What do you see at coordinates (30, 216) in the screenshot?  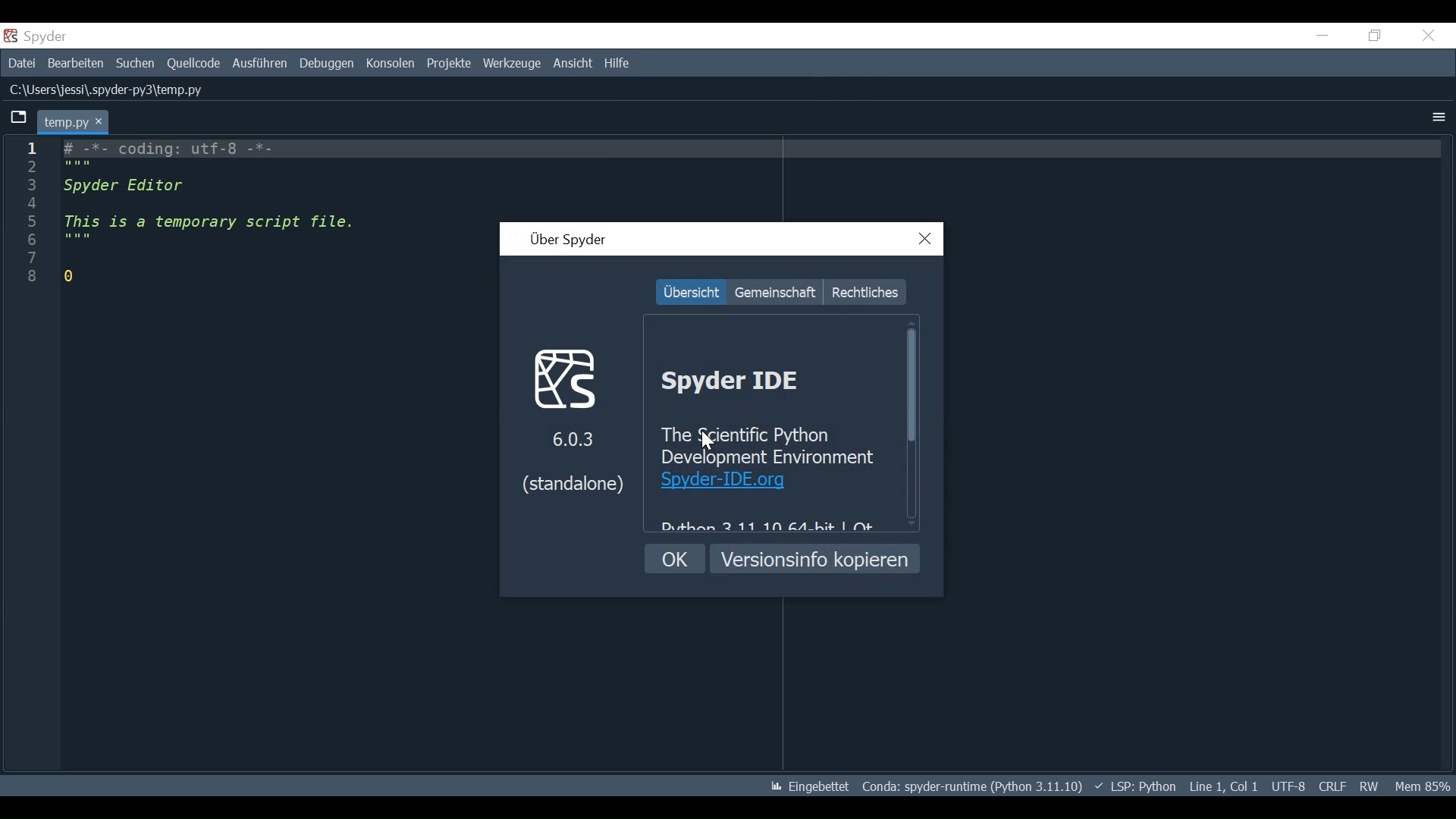 I see `line numbers` at bounding box center [30, 216].